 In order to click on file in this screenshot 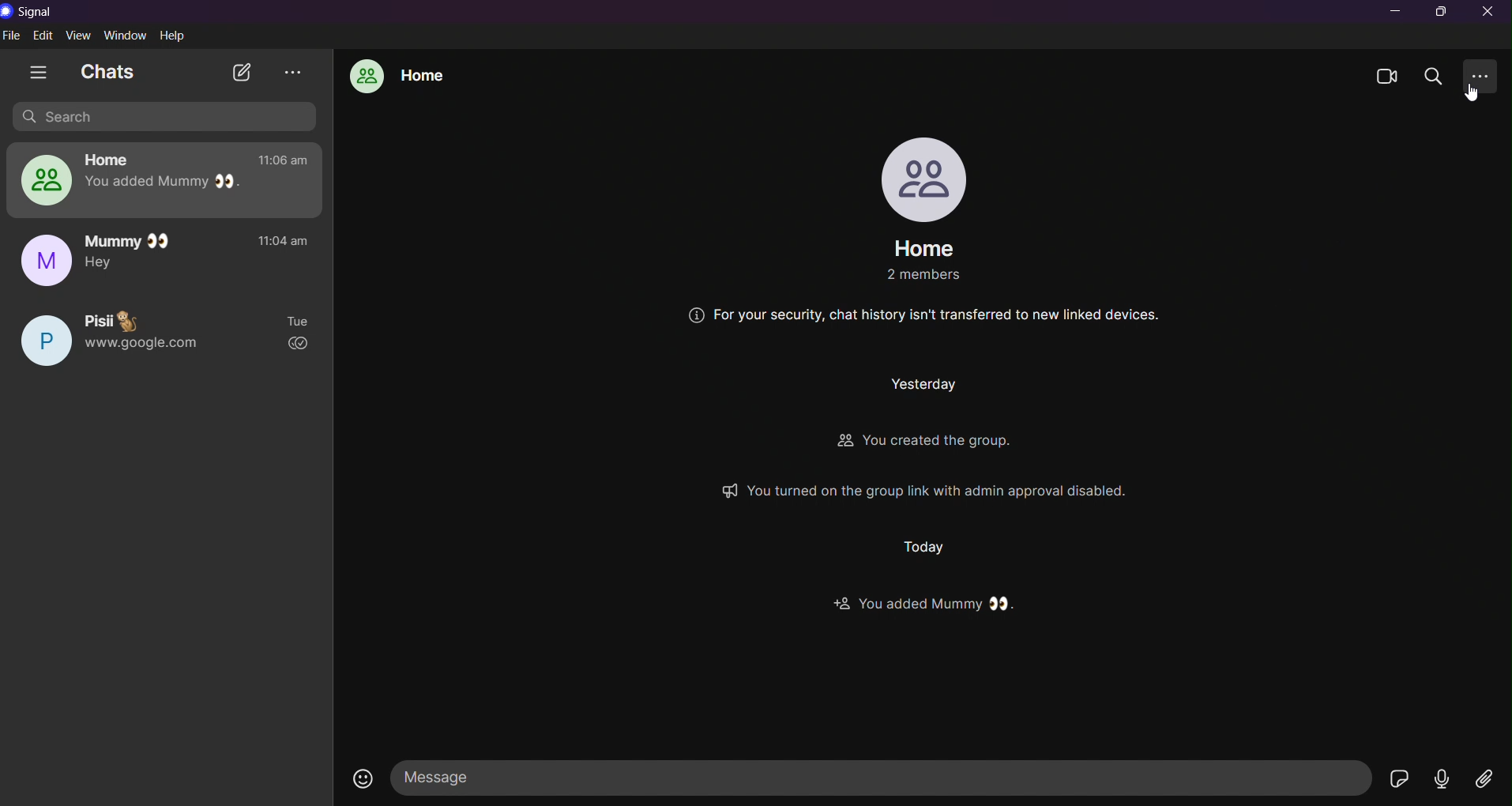, I will do `click(13, 36)`.